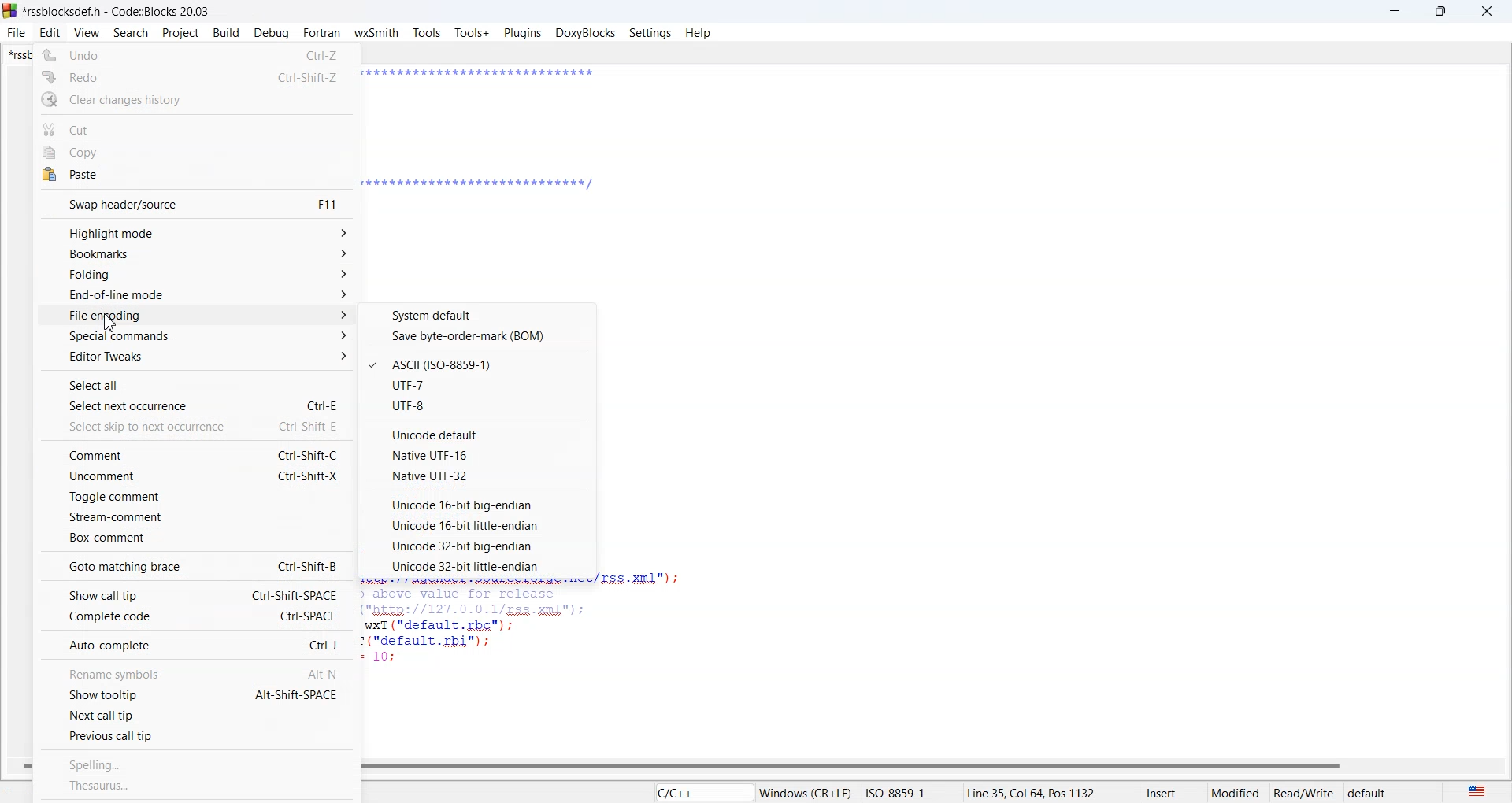  I want to click on tools, so click(427, 35).